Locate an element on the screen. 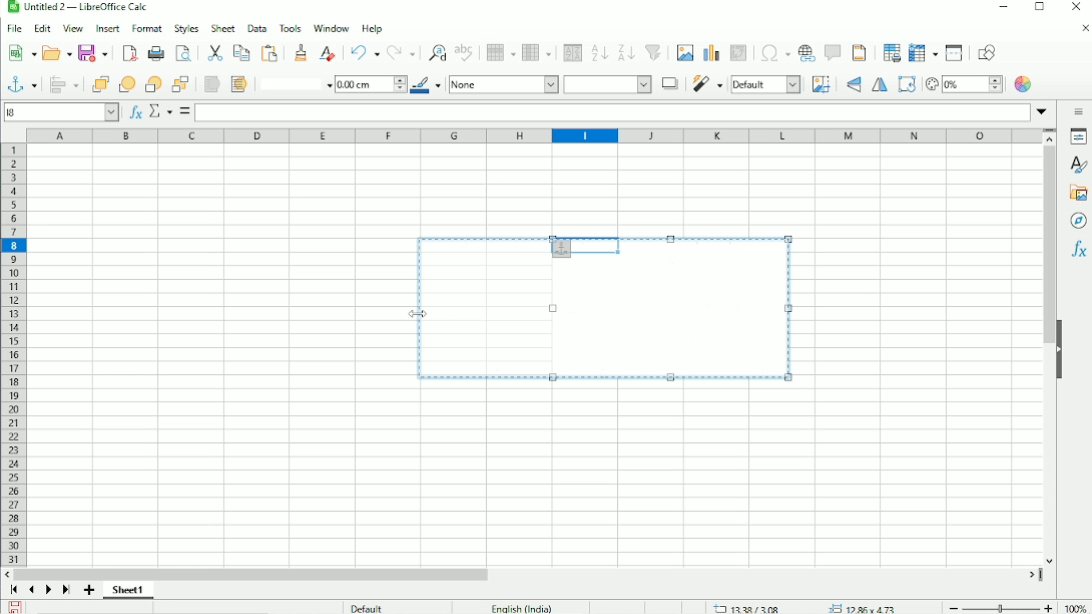 This screenshot has width=1092, height=614. Autofilter is located at coordinates (654, 53).